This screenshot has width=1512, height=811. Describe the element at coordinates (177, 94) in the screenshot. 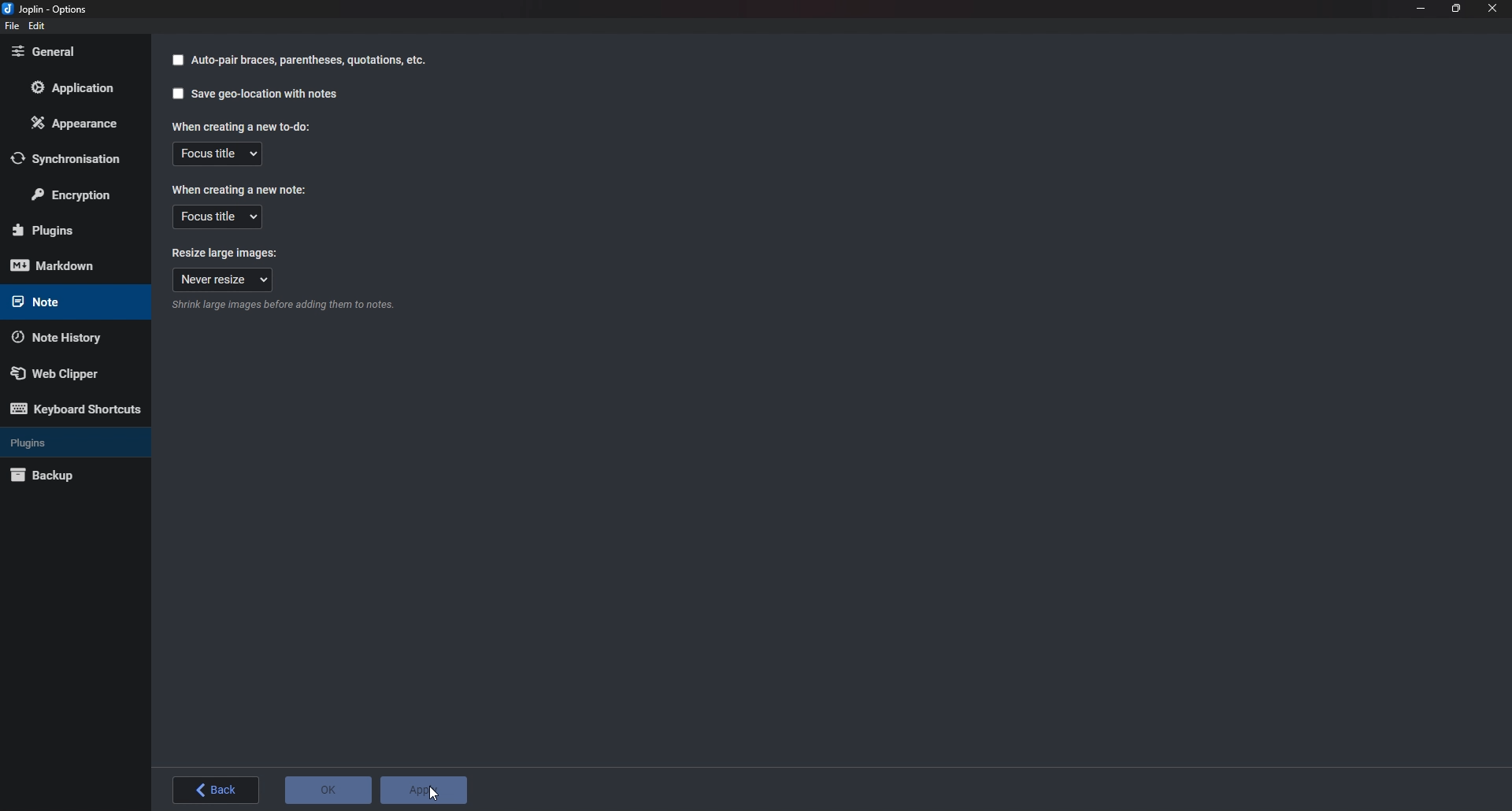

I see `checkbox` at that location.